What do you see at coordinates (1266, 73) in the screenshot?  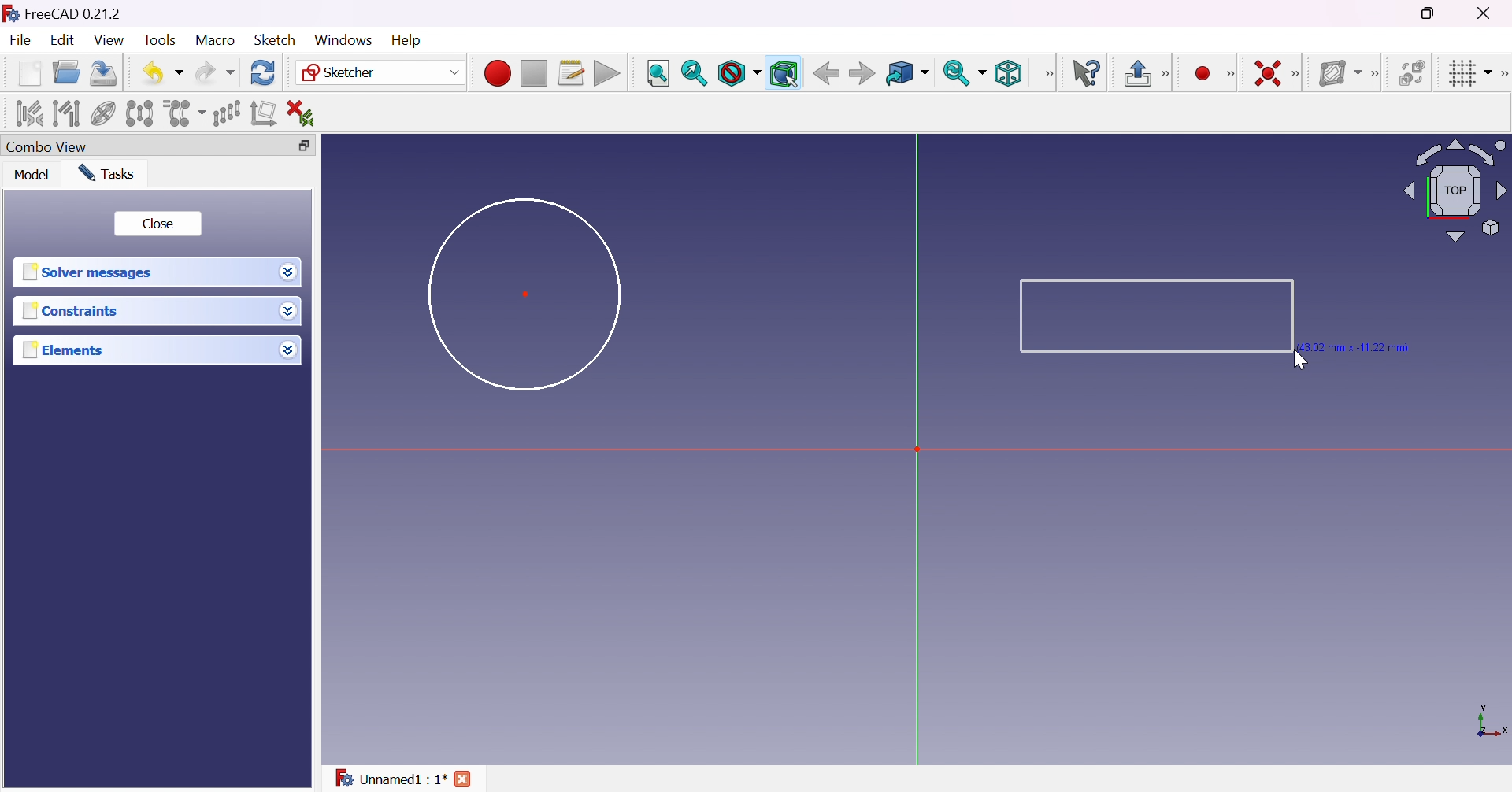 I see `Constrain coincident` at bounding box center [1266, 73].